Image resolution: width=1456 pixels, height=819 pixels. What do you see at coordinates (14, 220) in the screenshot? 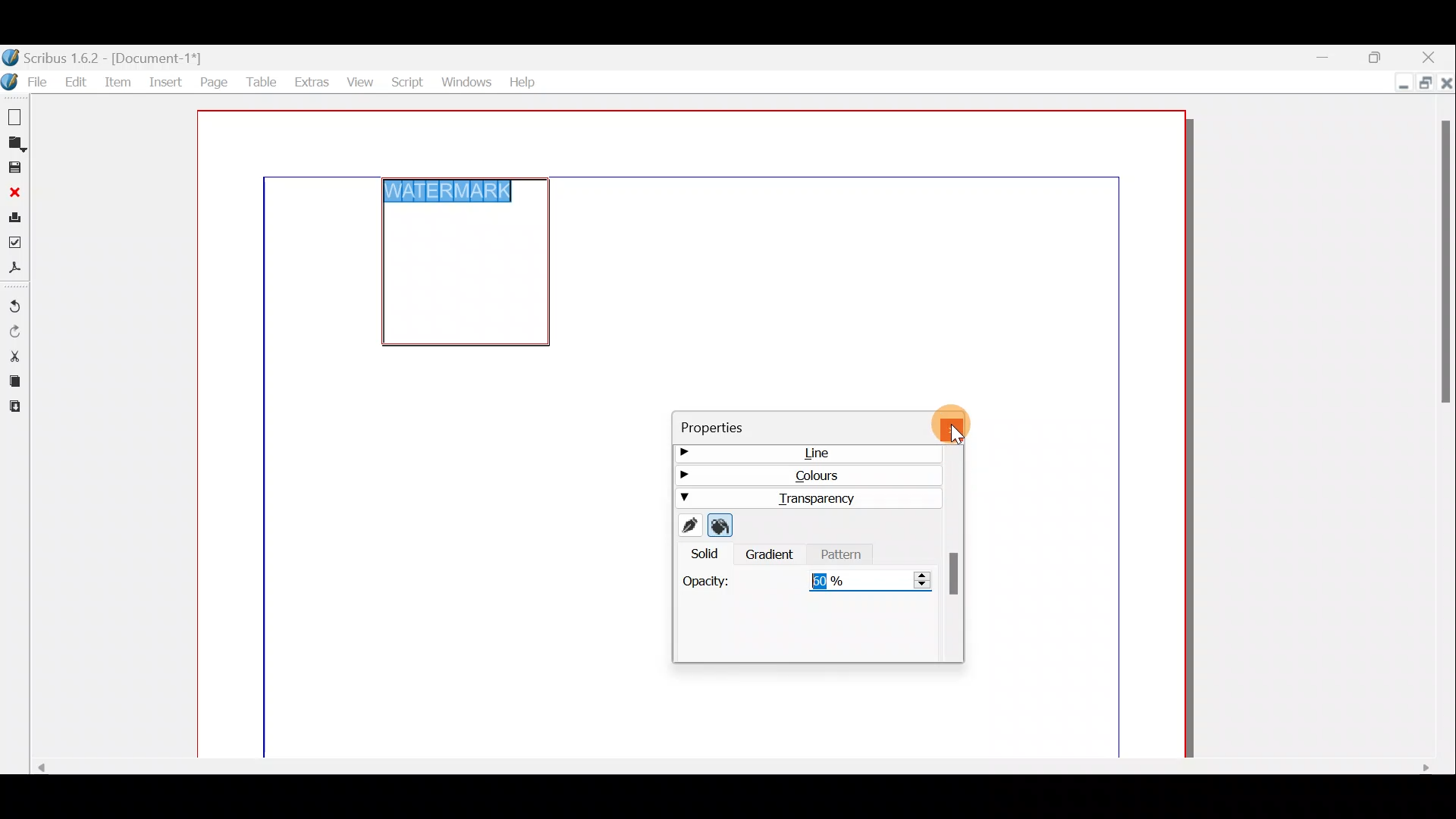
I see `Print` at bounding box center [14, 220].